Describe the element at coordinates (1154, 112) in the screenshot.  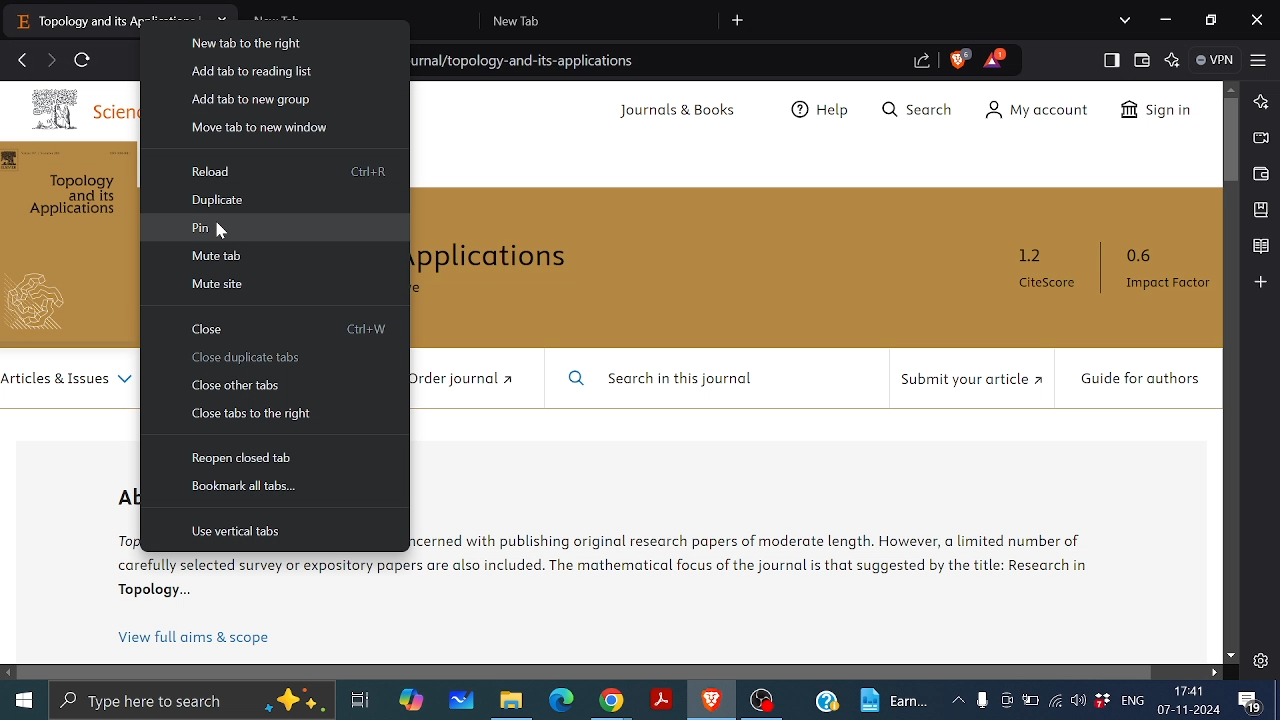
I see `fR signin` at that location.